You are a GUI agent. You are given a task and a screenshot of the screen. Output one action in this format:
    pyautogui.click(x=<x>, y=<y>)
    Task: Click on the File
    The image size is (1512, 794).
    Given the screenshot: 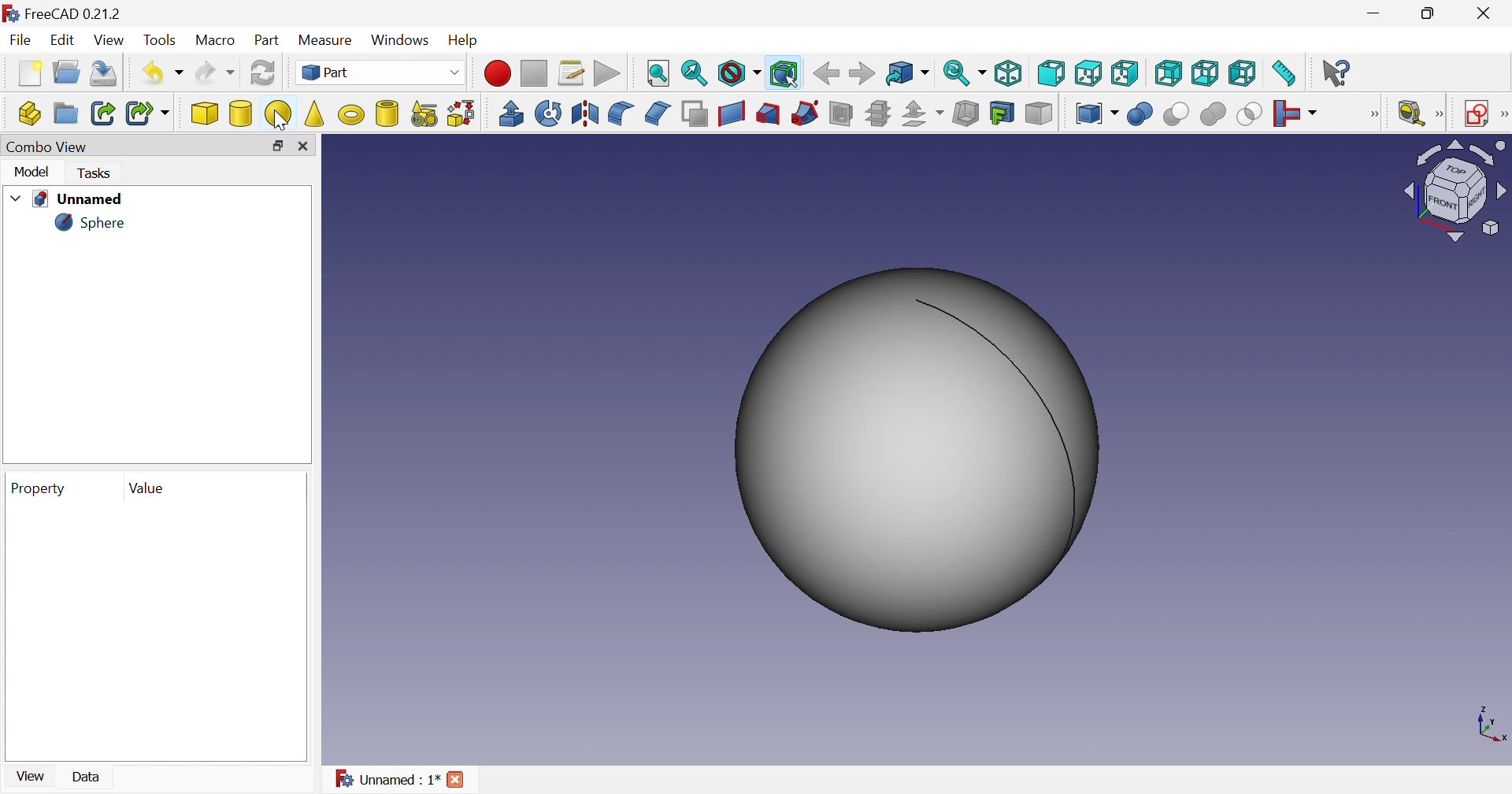 What is the action you would take?
    pyautogui.click(x=20, y=39)
    